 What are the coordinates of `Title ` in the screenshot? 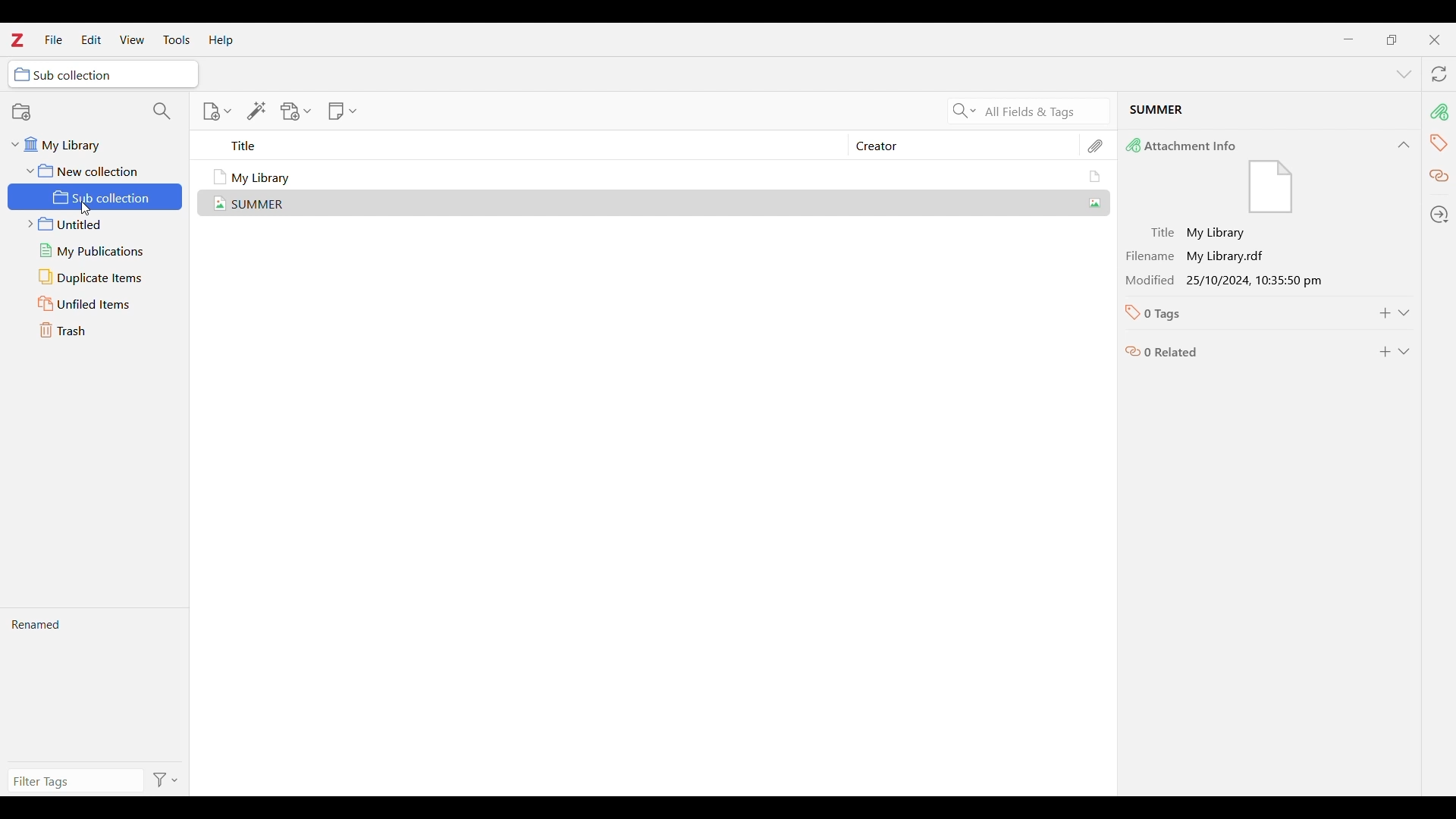 It's located at (532, 146).